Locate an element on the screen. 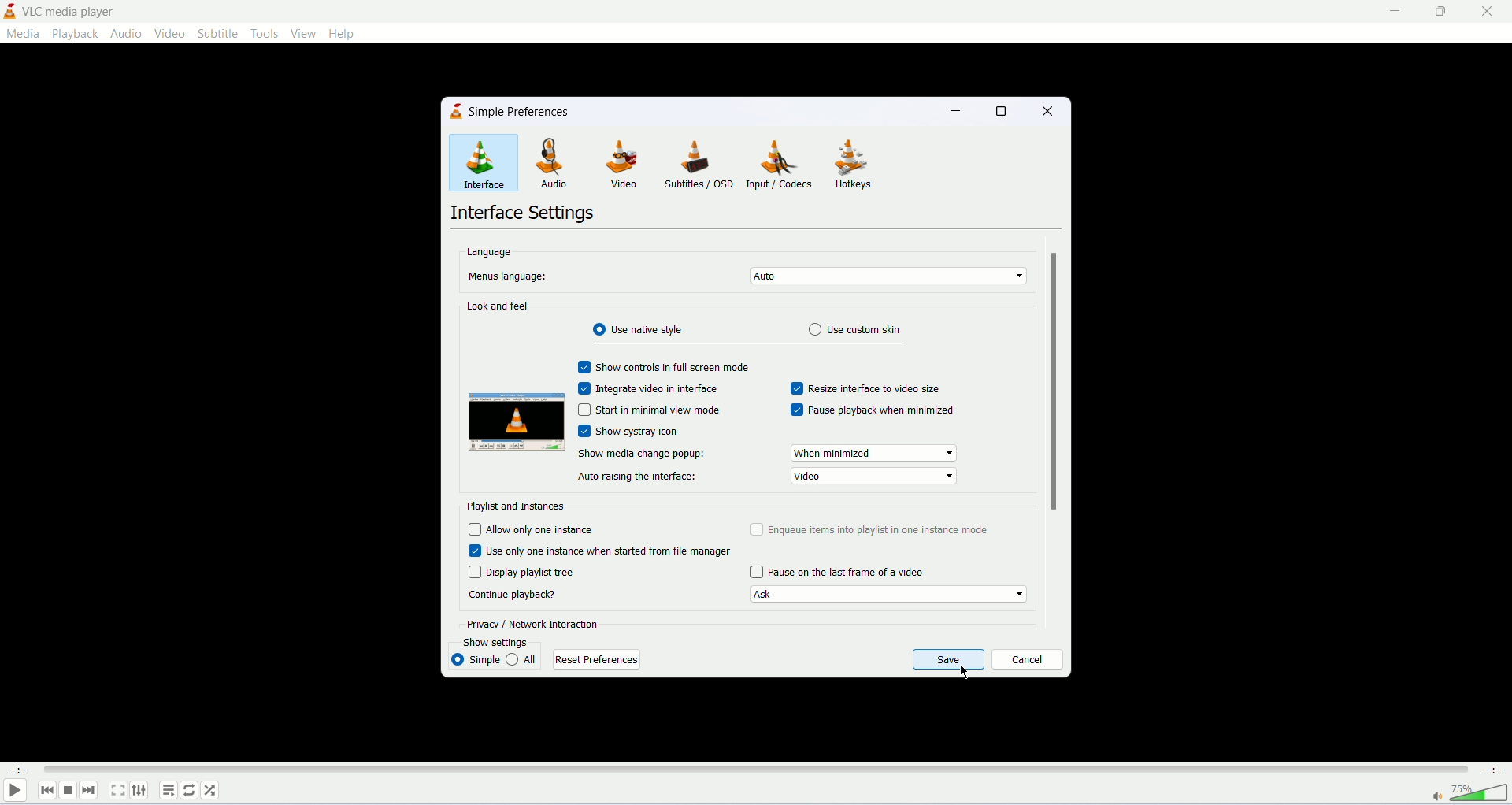 The width and height of the screenshot is (1512, 805). Checkbox is located at coordinates (584, 387).